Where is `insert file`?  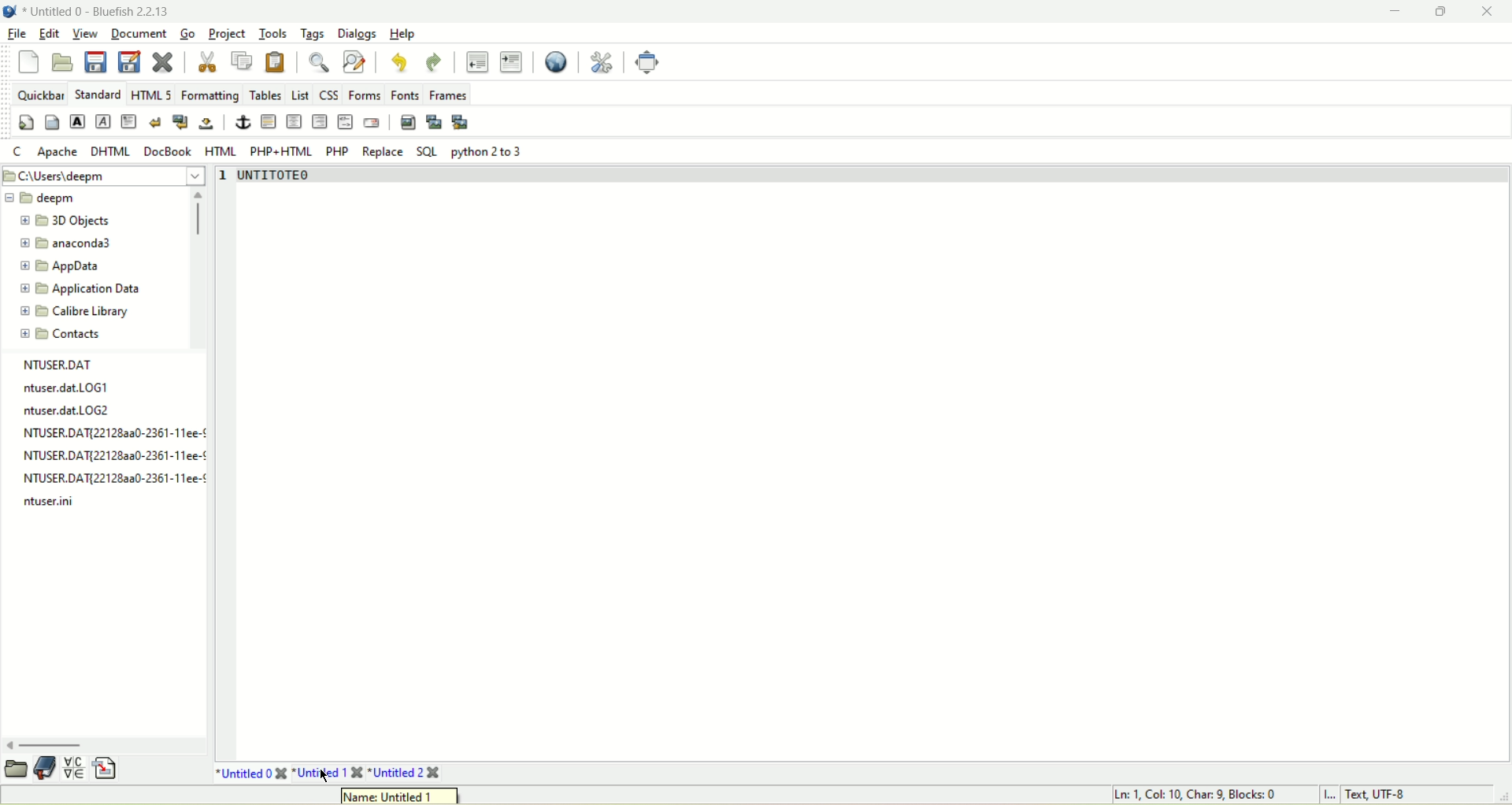 insert file is located at coordinates (105, 768).